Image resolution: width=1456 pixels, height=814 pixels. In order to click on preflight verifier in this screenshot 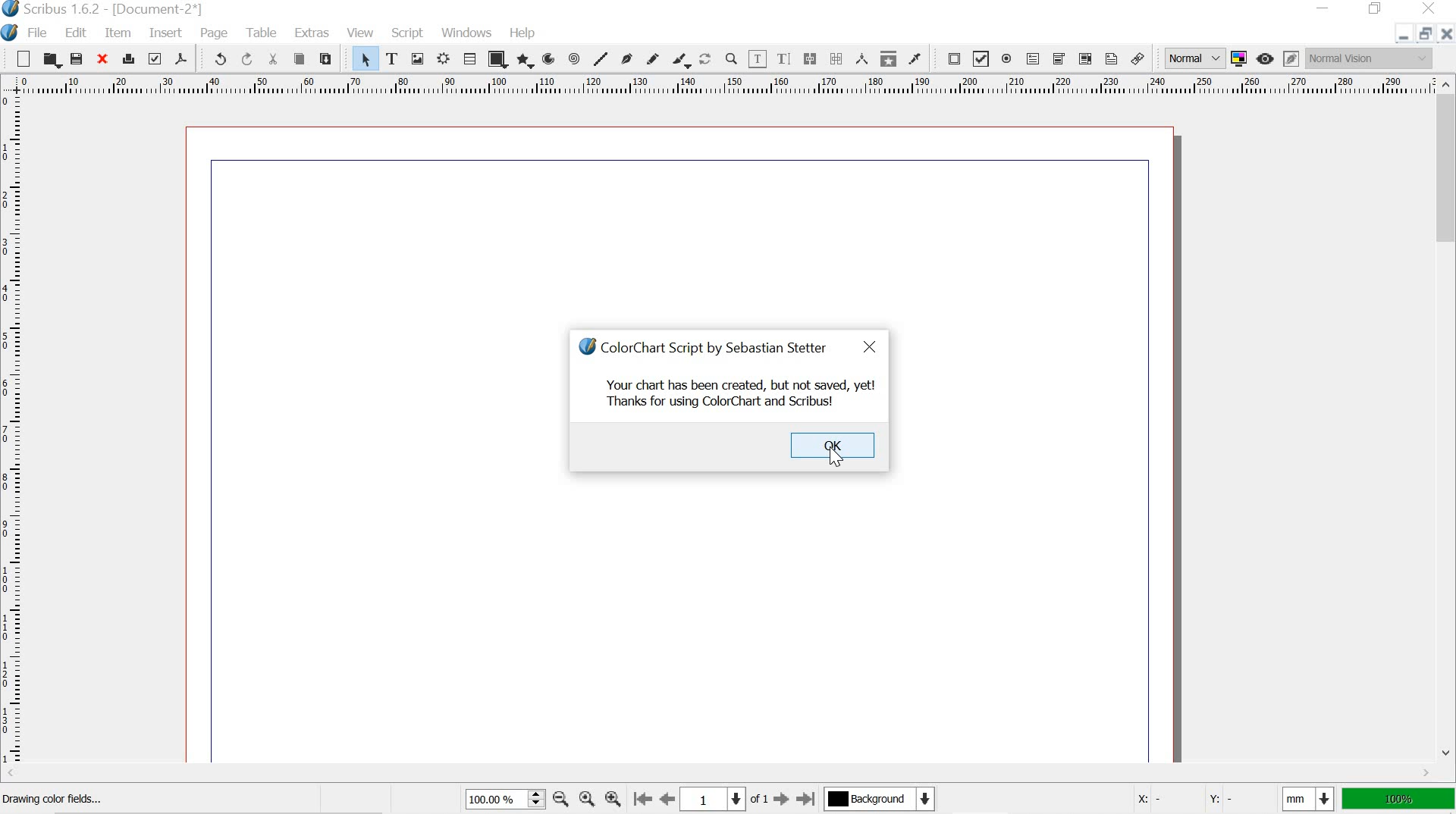, I will do `click(155, 58)`.